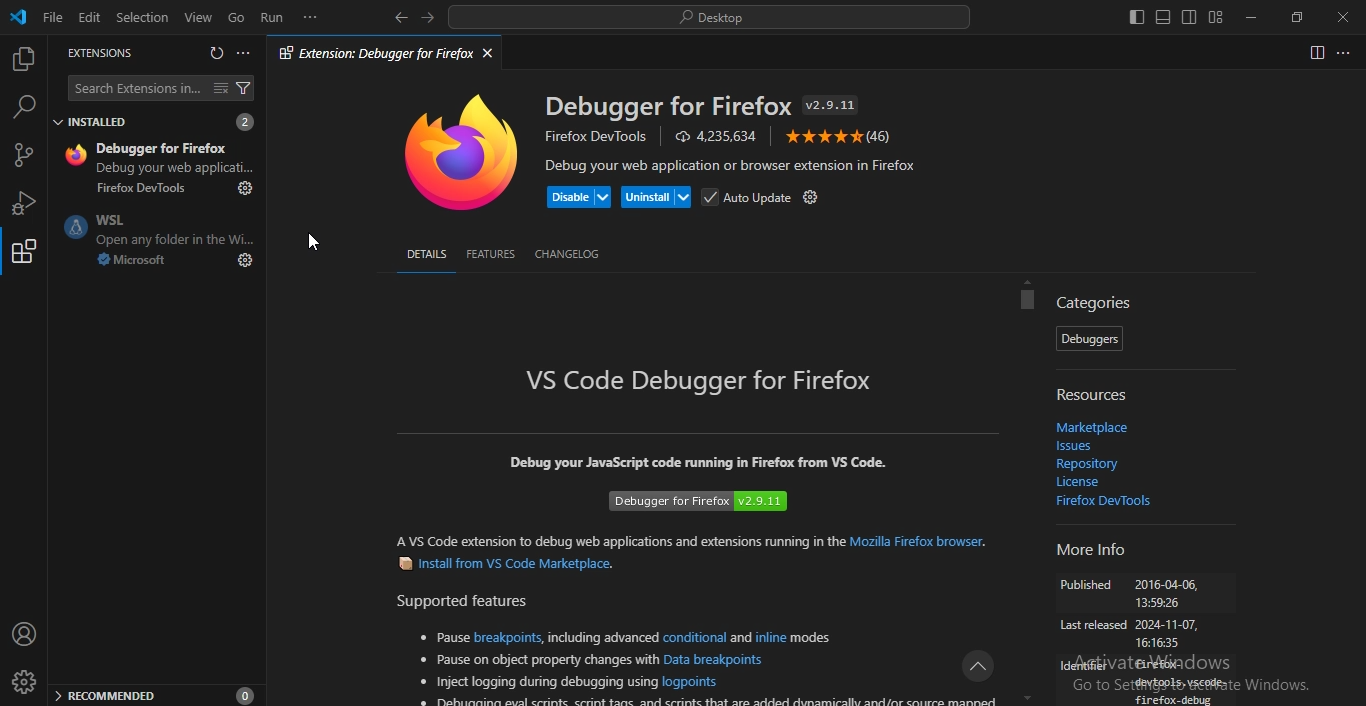 This screenshot has height=706, width=1366. I want to click on Debug your web application or browser extension in Firefox, so click(734, 166).